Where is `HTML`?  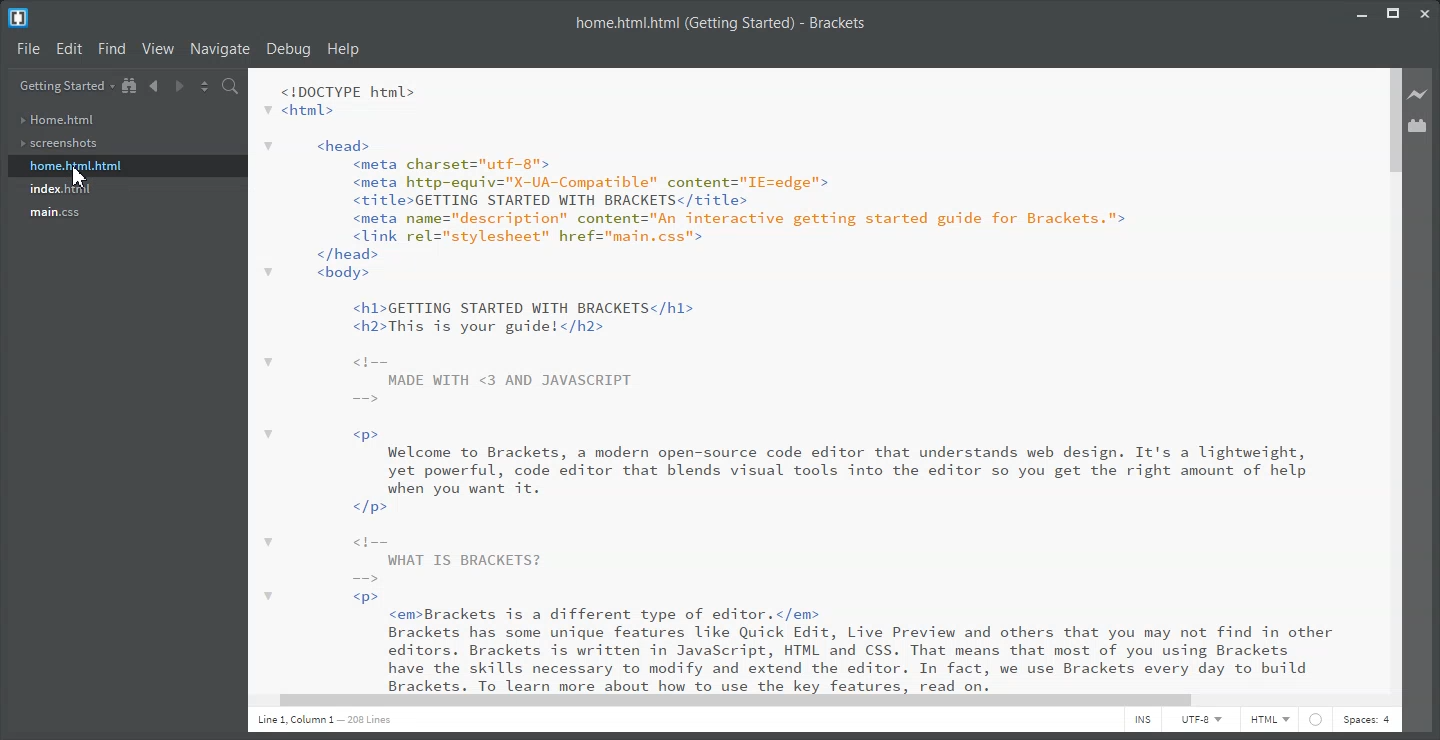 HTML is located at coordinates (1270, 721).